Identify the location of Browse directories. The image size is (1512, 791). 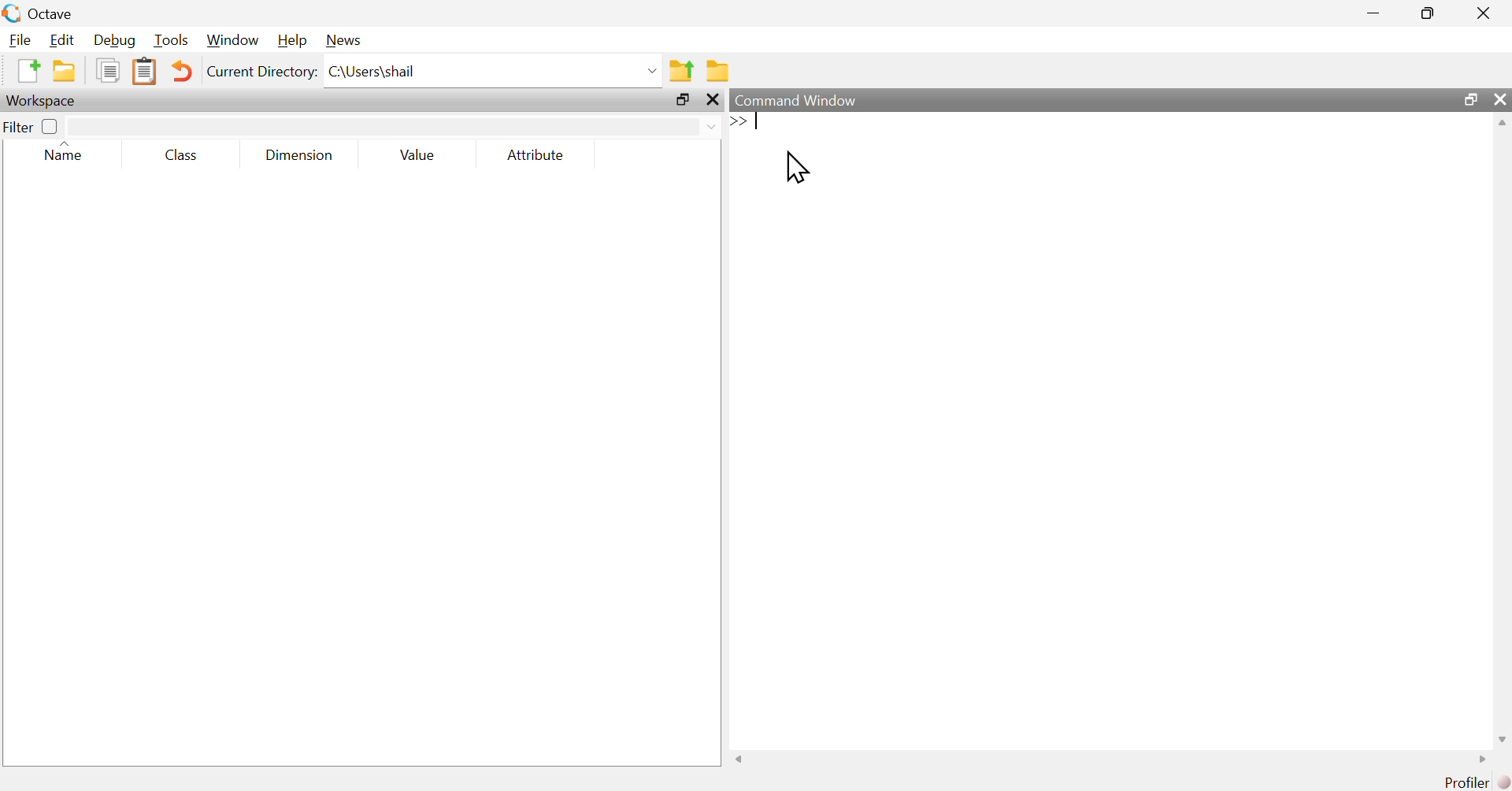
(717, 70).